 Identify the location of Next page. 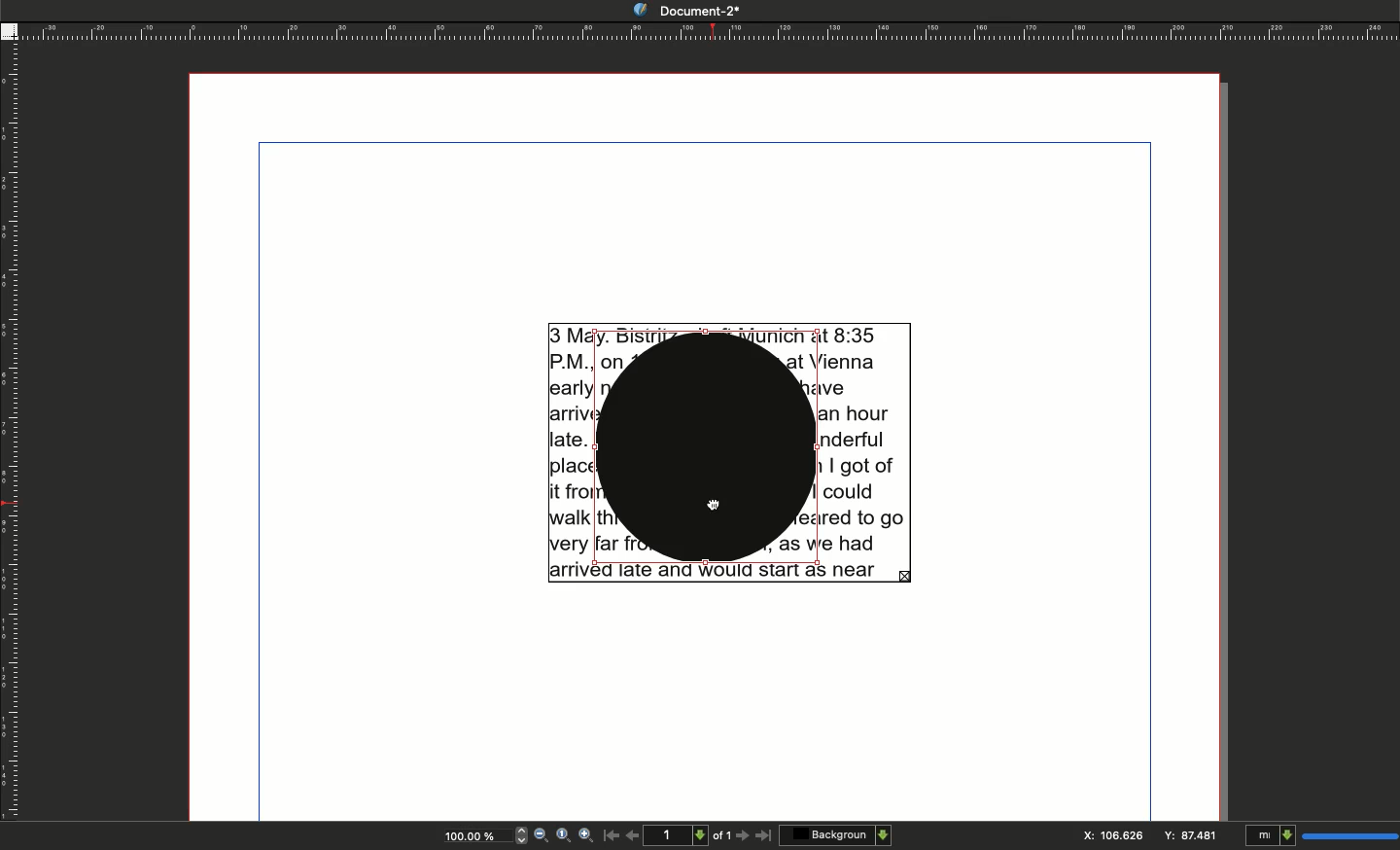
(743, 836).